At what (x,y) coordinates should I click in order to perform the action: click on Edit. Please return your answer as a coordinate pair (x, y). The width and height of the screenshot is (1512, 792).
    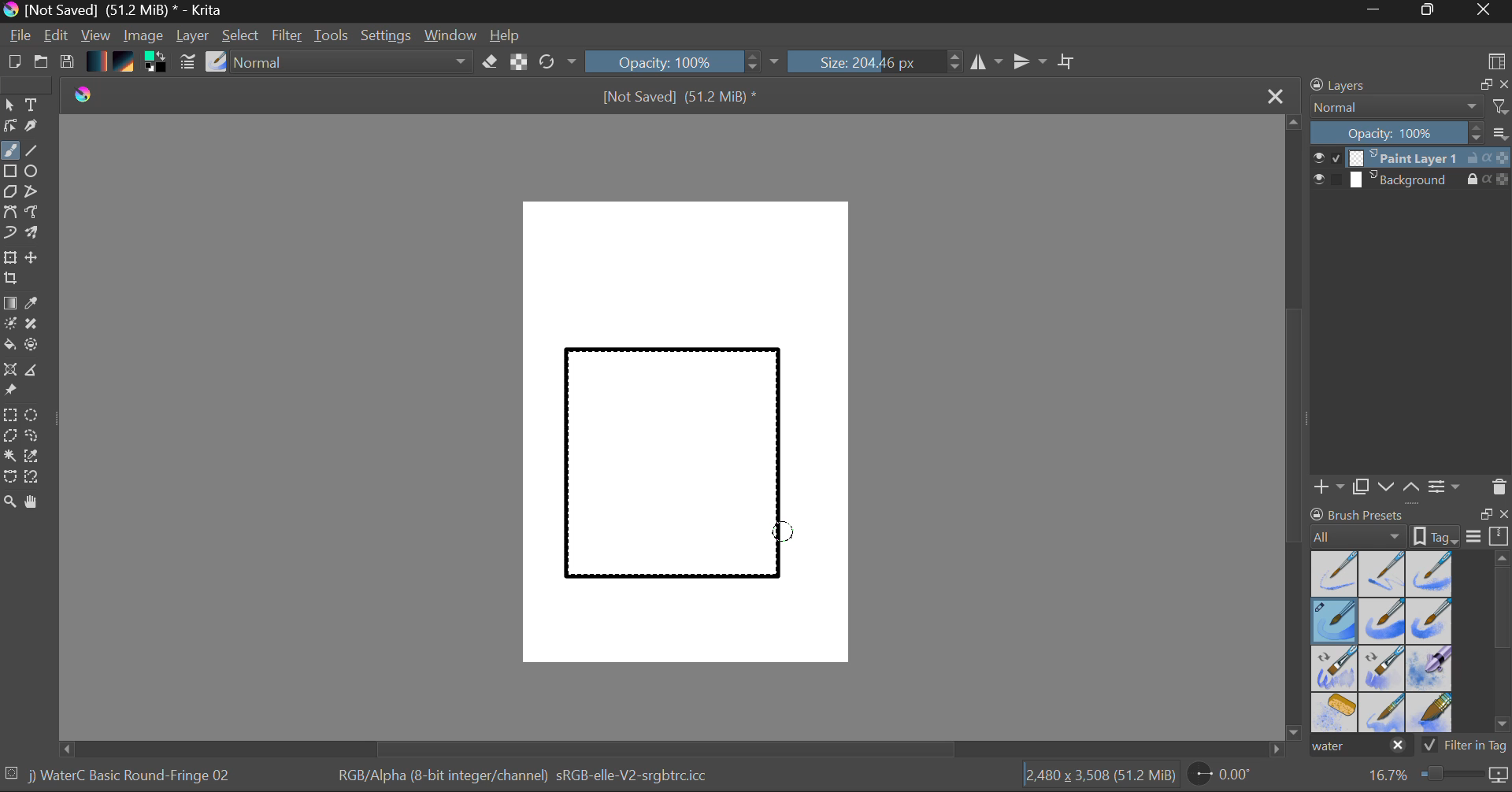
    Looking at the image, I should click on (57, 37).